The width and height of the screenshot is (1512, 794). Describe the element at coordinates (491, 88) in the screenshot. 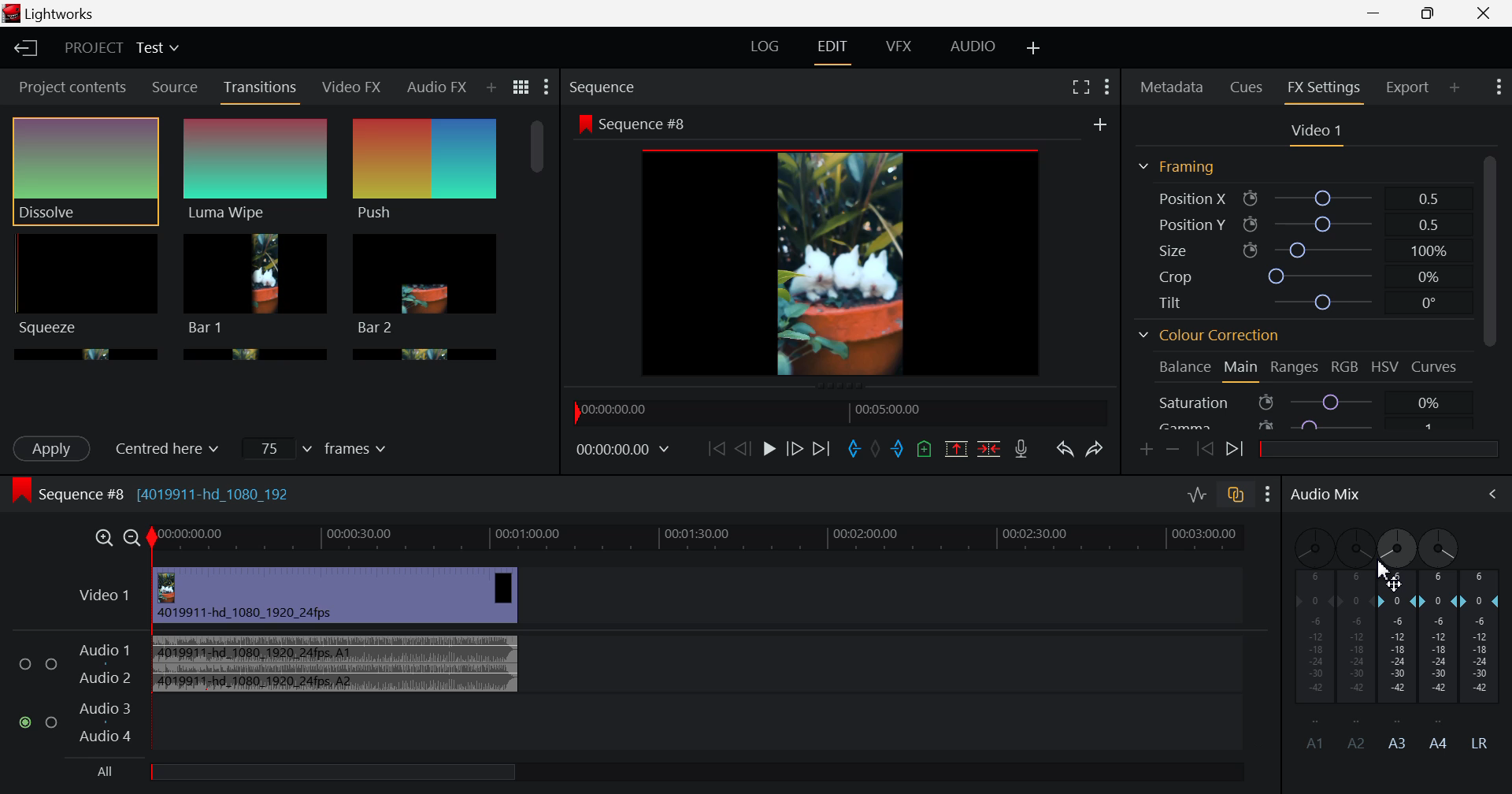

I see `Add Panel` at that location.